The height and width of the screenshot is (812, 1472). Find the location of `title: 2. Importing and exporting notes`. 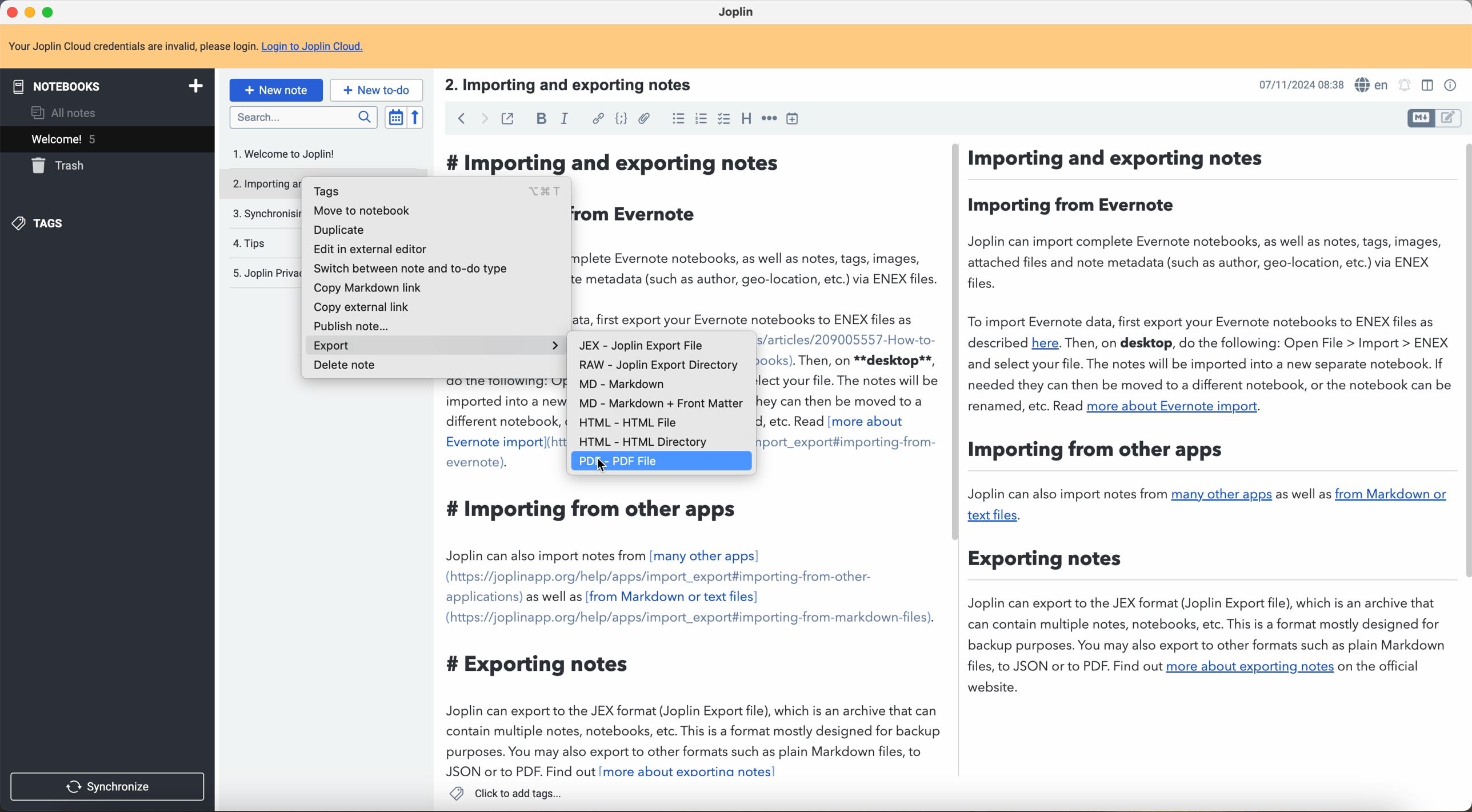

title: 2. Importing and exporting notes is located at coordinates (578, 85).